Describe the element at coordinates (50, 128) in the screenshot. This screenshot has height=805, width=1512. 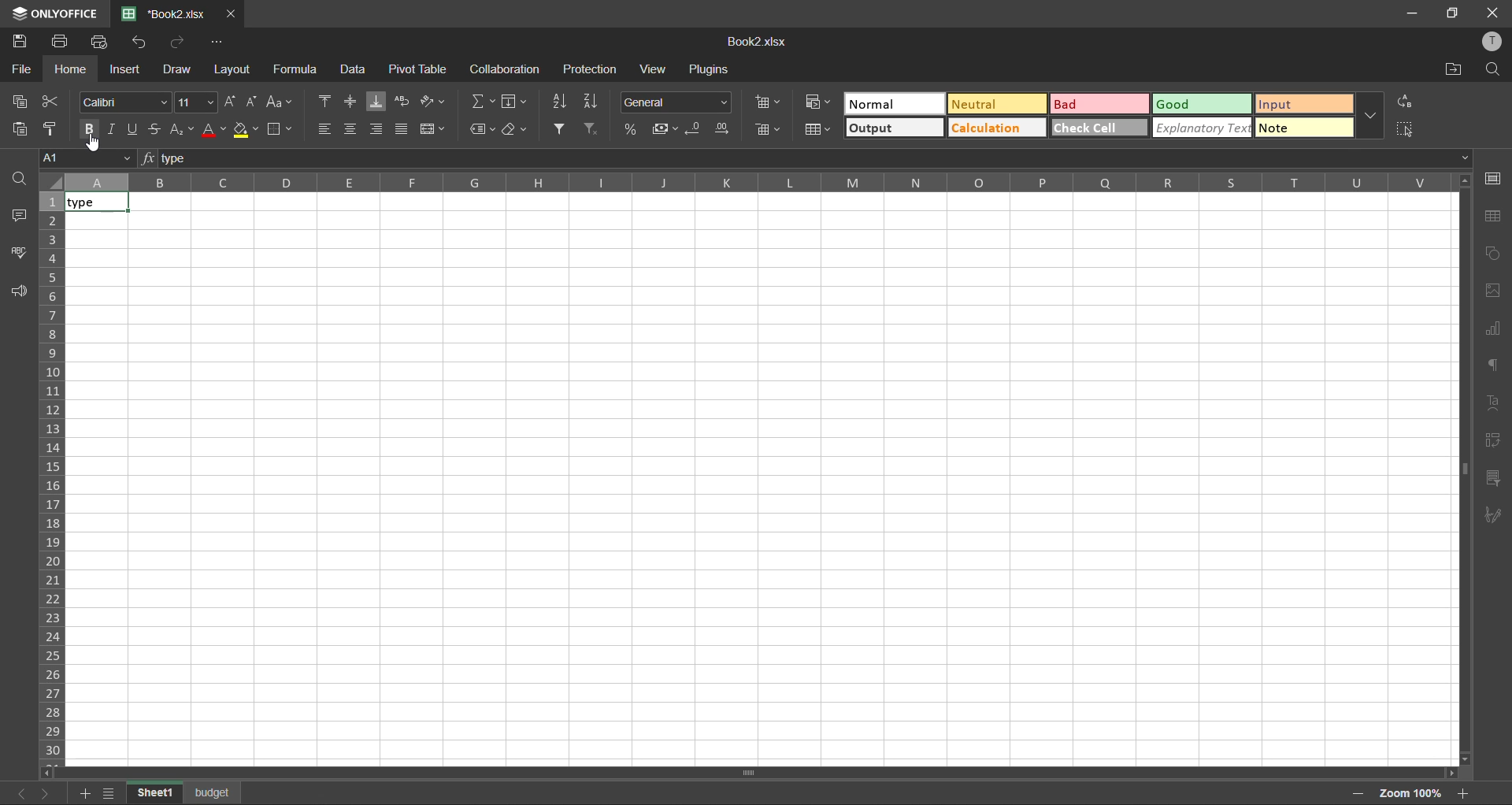
I see `copy style` at that location.